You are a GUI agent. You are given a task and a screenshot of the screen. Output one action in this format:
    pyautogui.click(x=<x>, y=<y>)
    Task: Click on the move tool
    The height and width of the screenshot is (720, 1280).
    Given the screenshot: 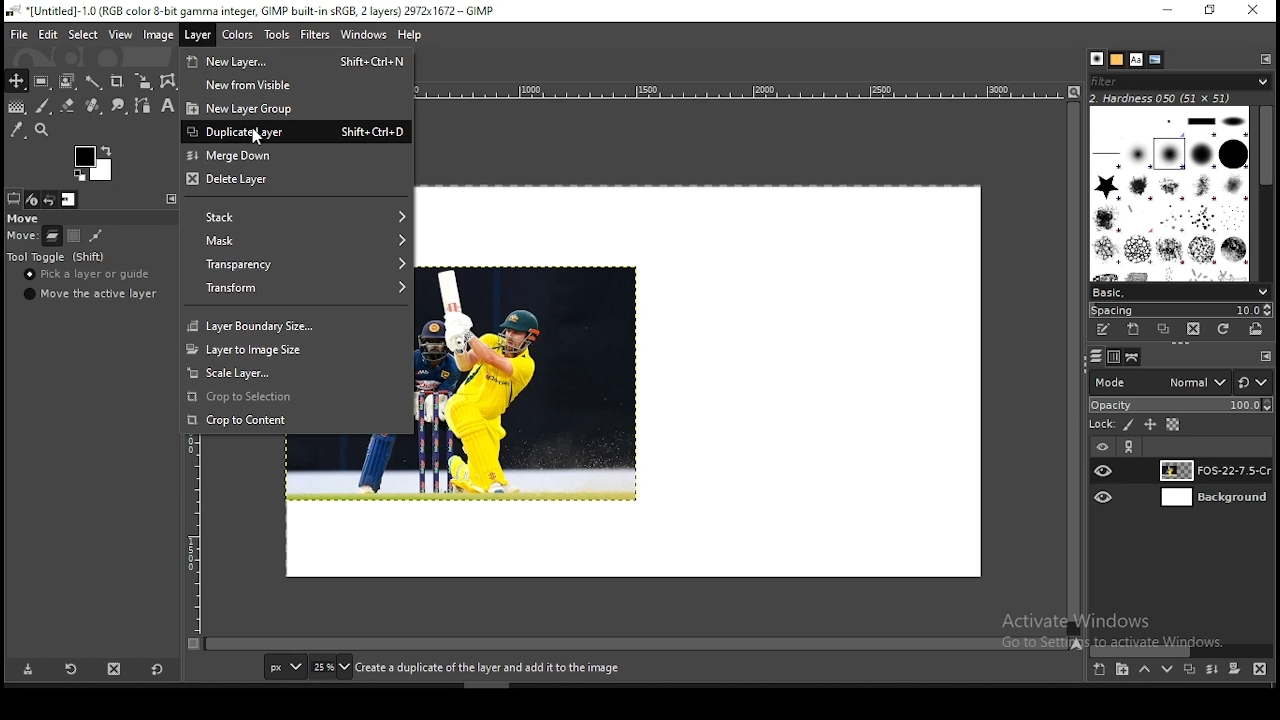 What is the action you would take?
    pyautogui.click(x=16, y=81)
    